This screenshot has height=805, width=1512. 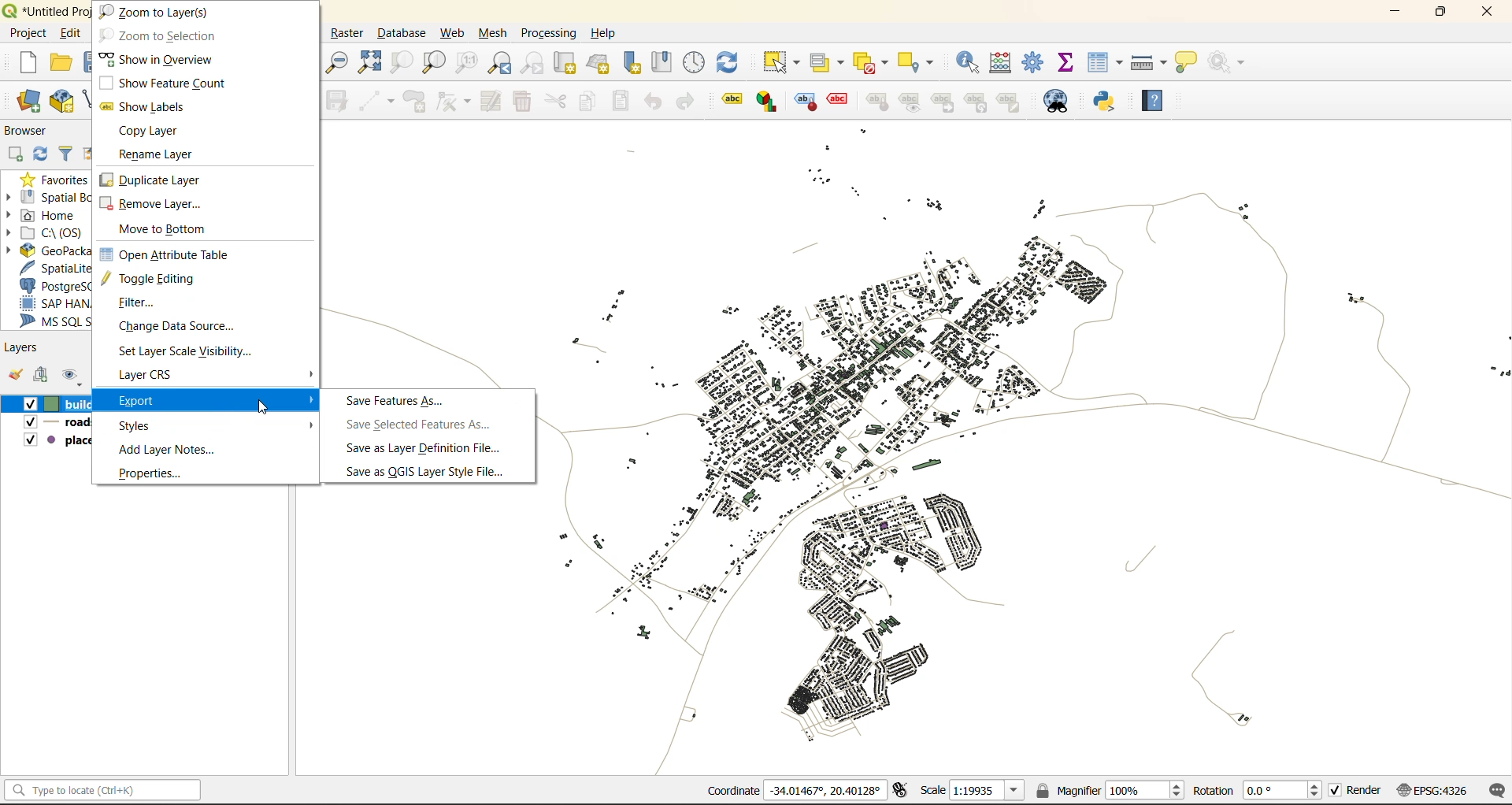 I want to click on cut, so click(x=554, y=99).